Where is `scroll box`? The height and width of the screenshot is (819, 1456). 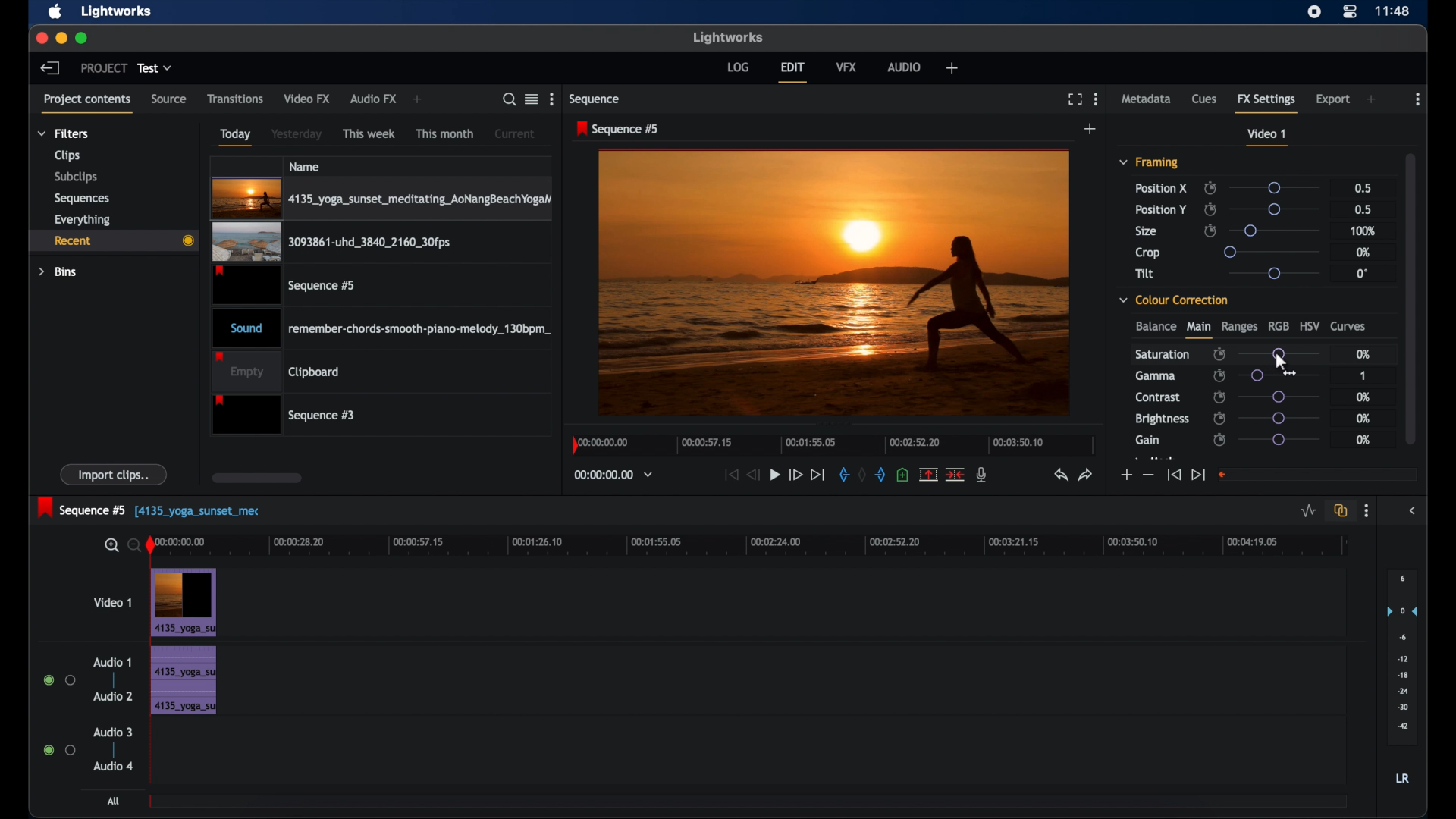 scroll box is located at coordinates (256, 478).